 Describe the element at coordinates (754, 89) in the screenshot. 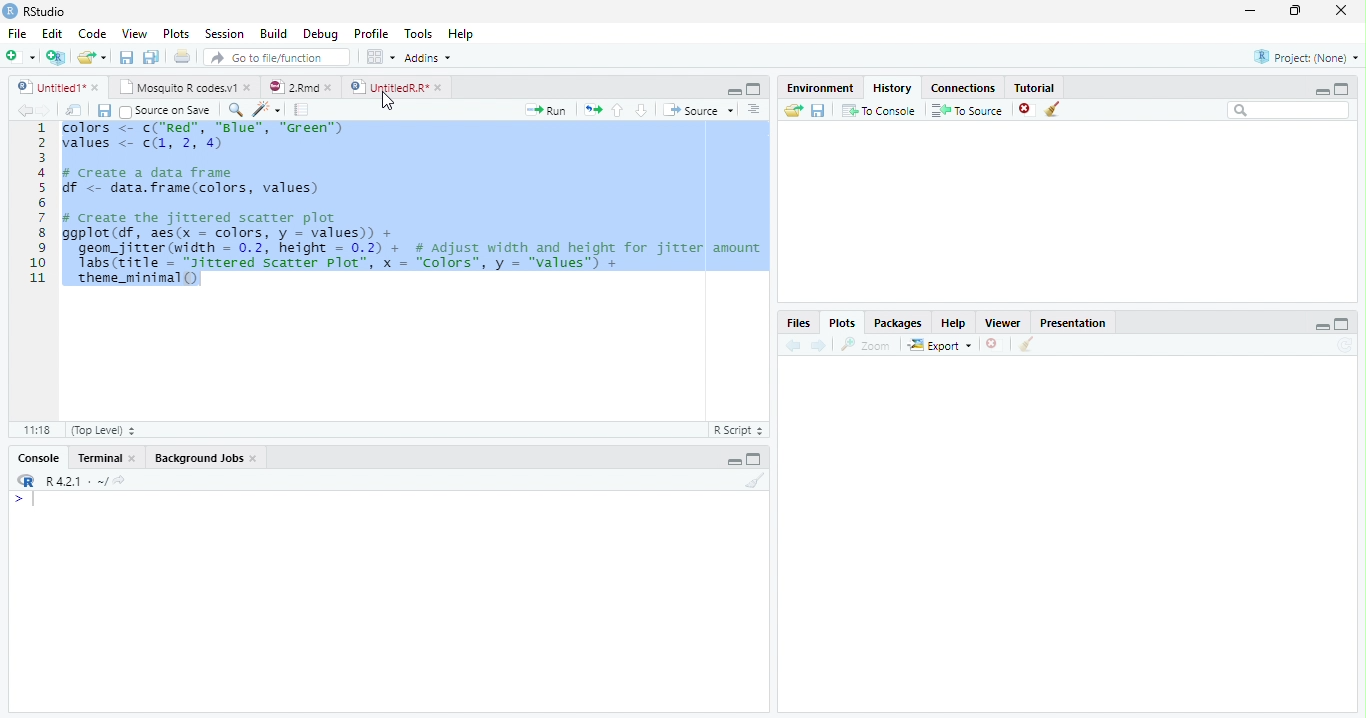

I see `Maximize` at that location.